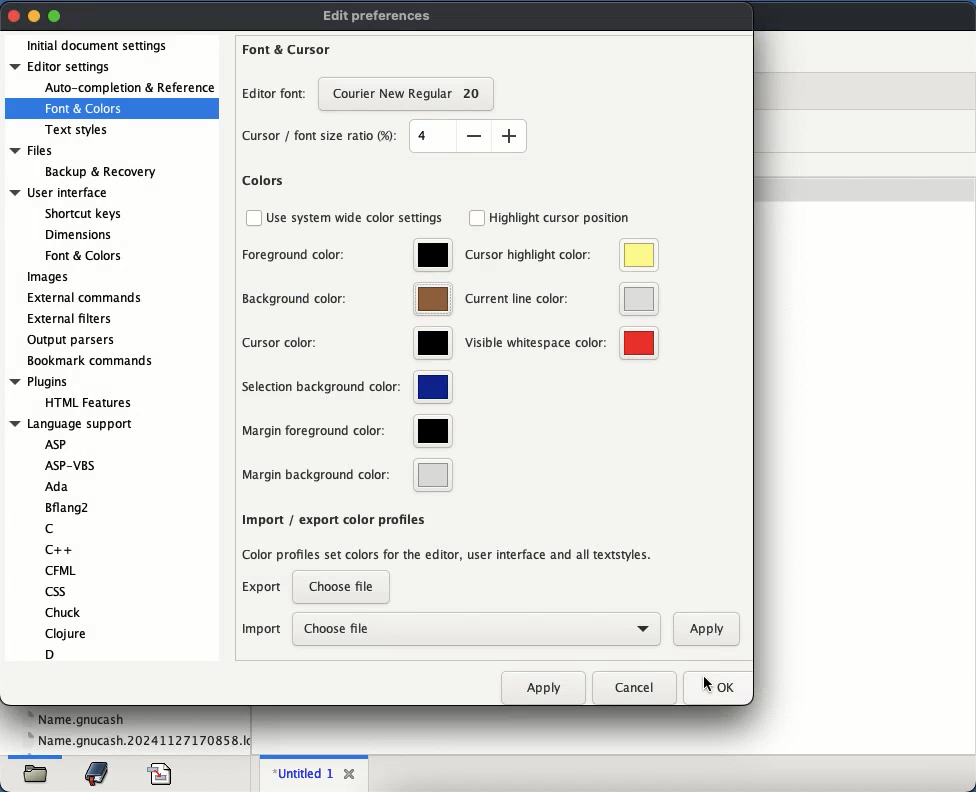  I want to click on current line color, so click(562, 298).